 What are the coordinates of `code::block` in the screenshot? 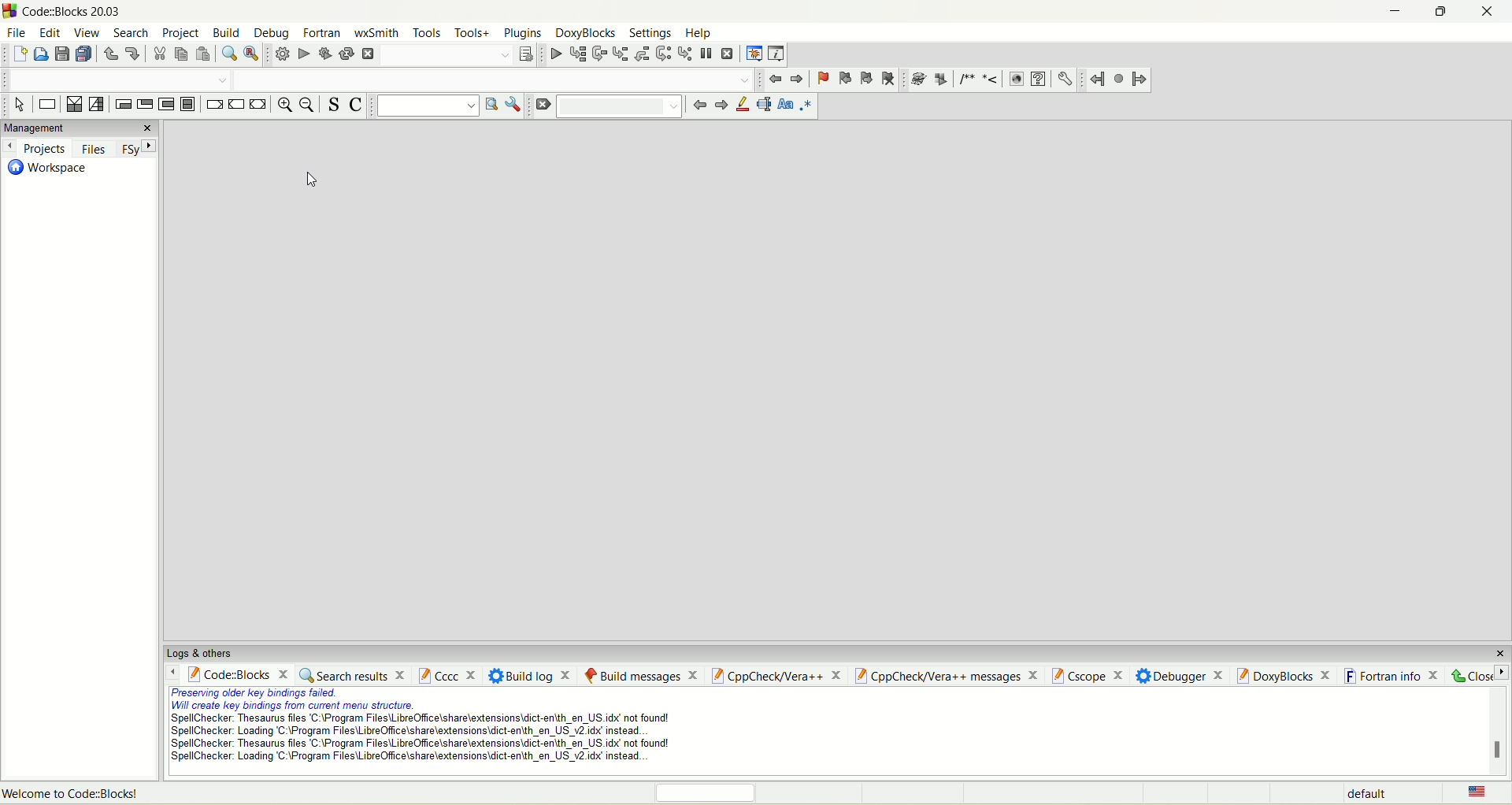 It's located at (233, 673).